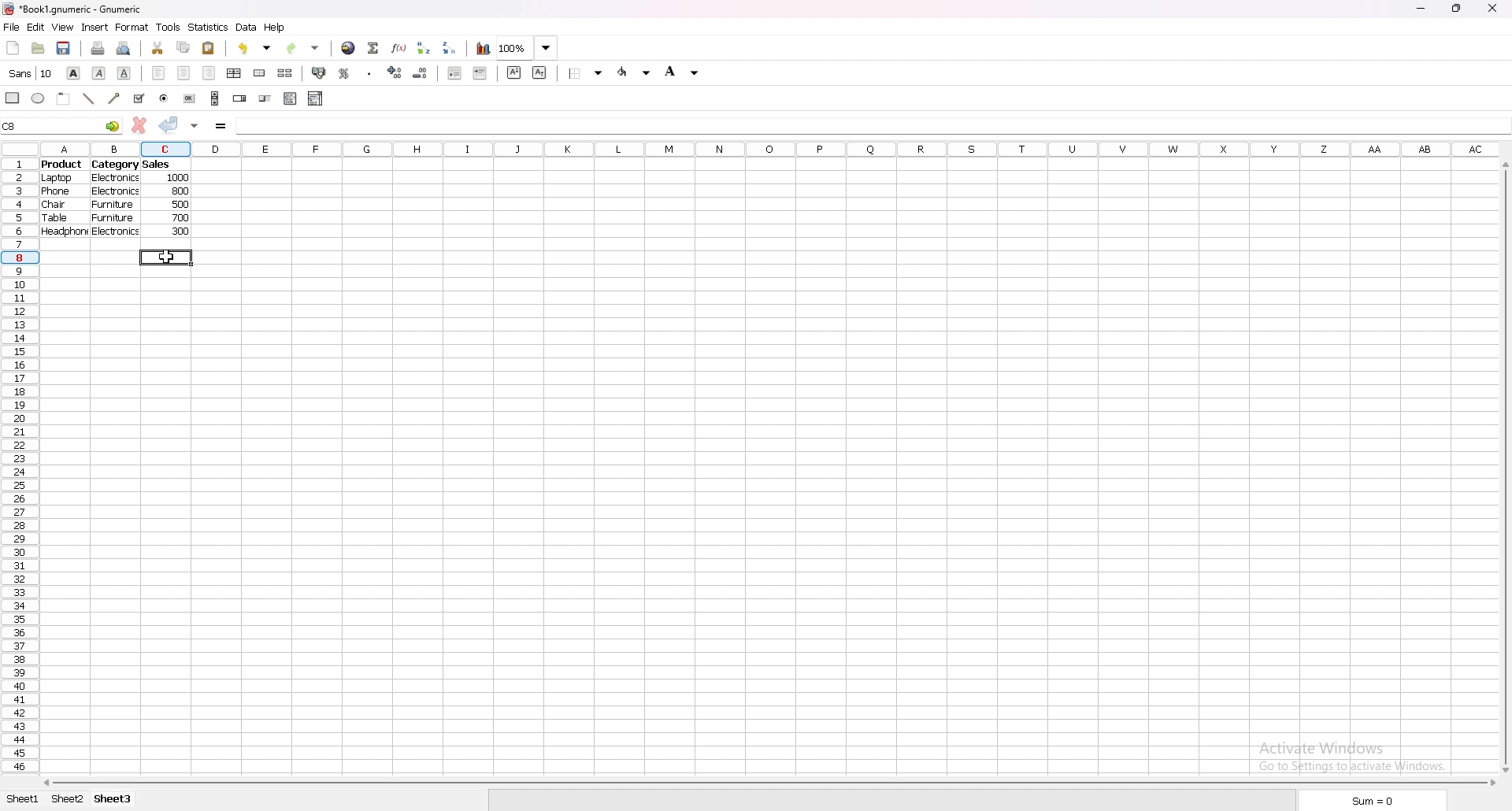 Image resolution: width=1512 pixels, height=811 pixels. I want to click on subscript, so click(539, 73).